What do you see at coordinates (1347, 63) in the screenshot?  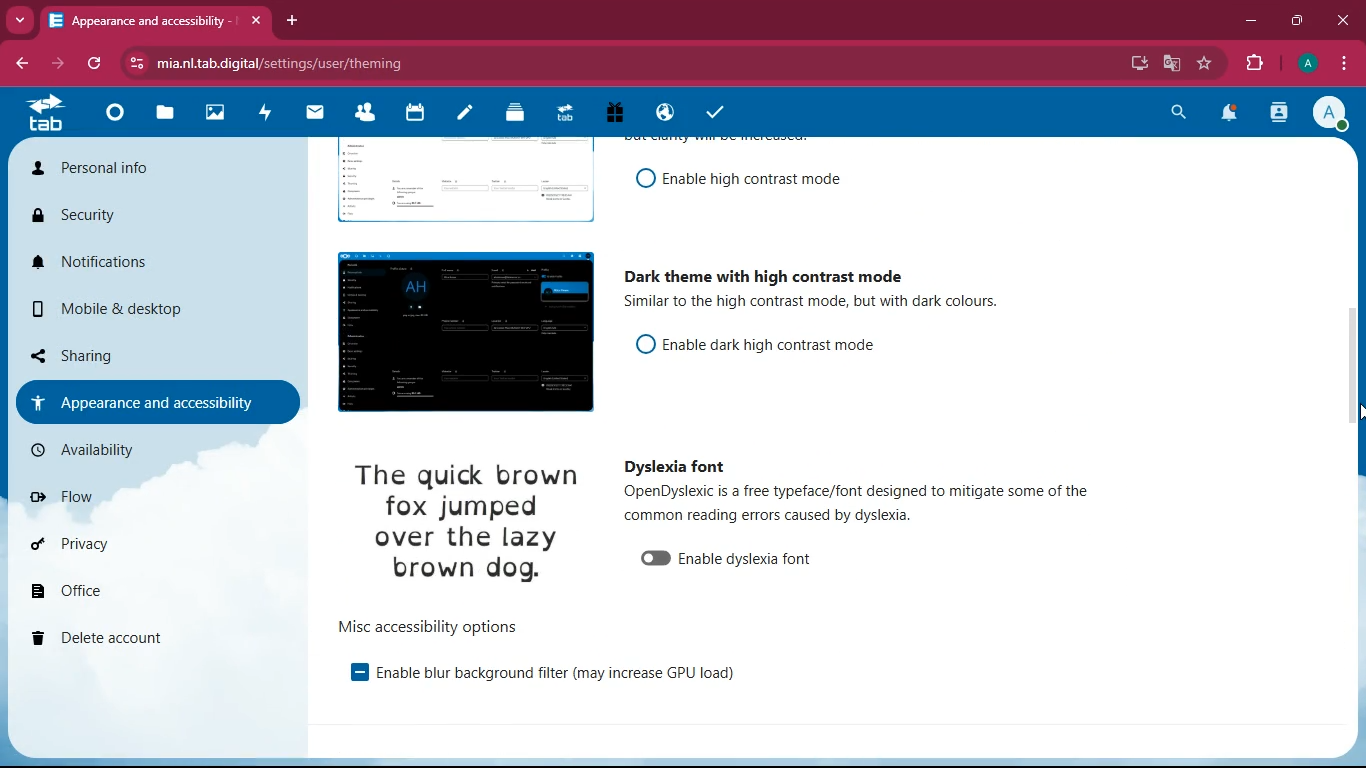 I see `menu` at bounding box center [1347, 63].